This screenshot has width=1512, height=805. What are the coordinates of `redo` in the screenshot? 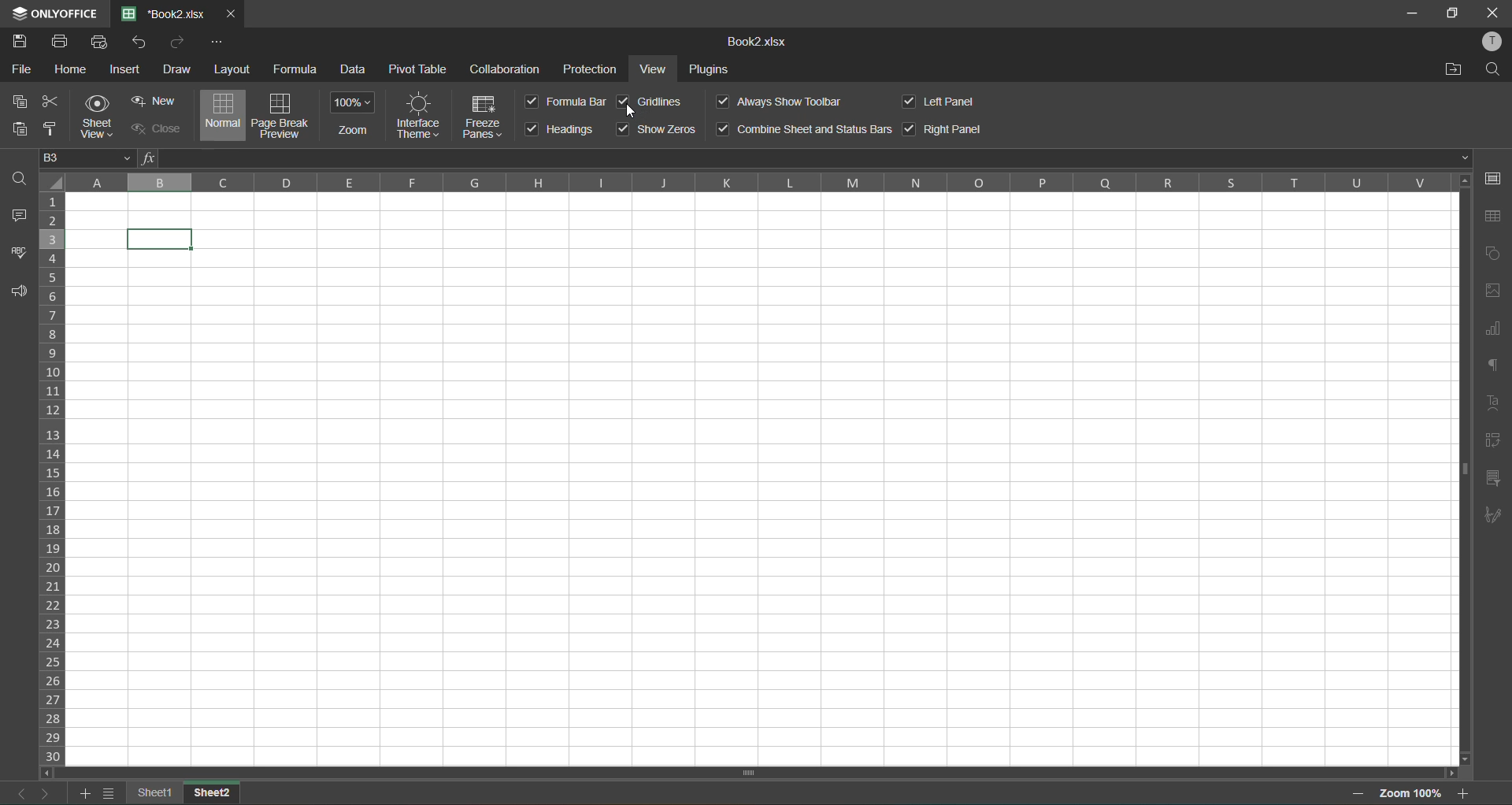 It's located at (176, 43).